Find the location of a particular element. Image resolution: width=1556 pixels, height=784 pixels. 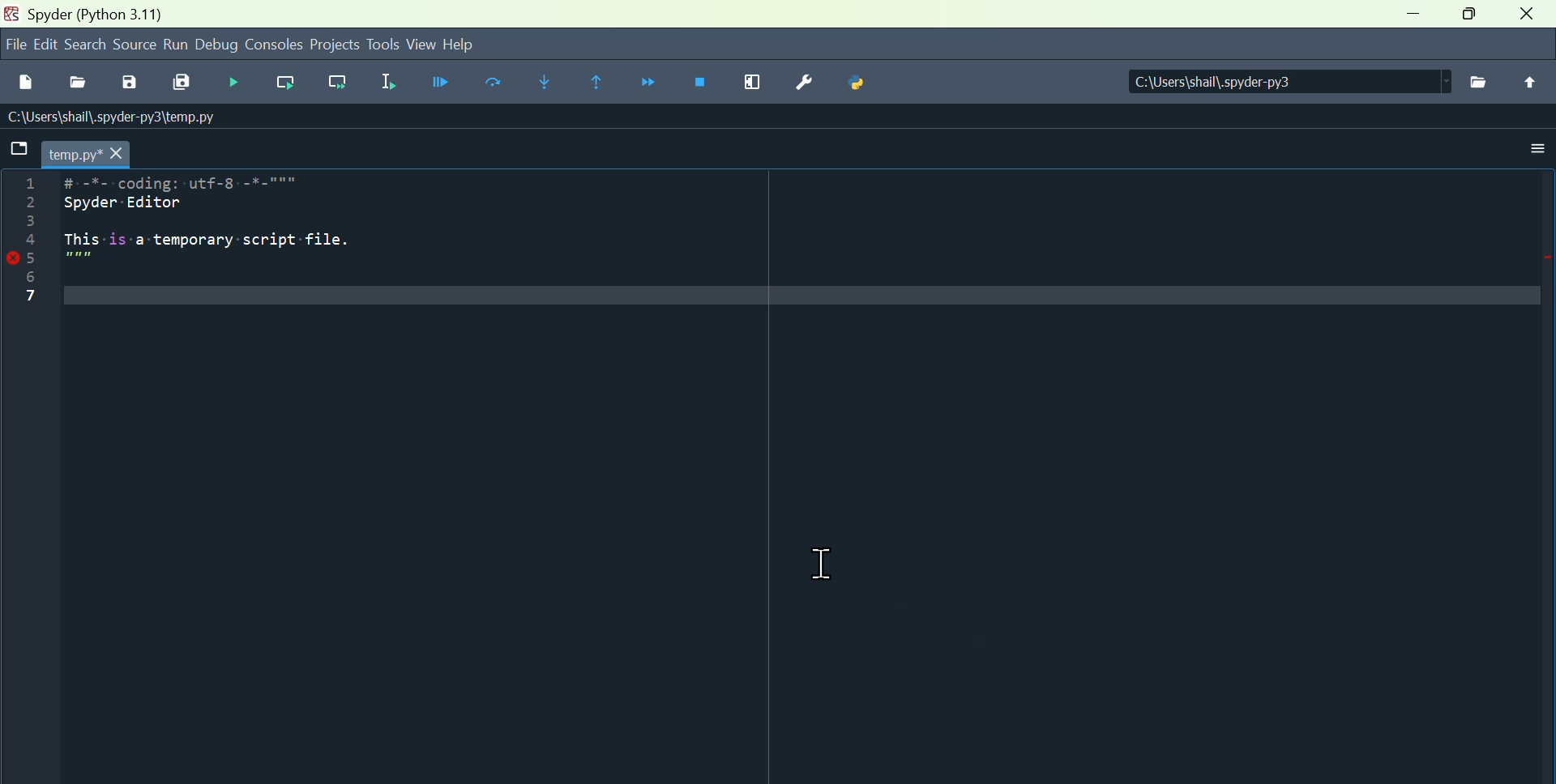

Tools is located at coordinates (383, 45).